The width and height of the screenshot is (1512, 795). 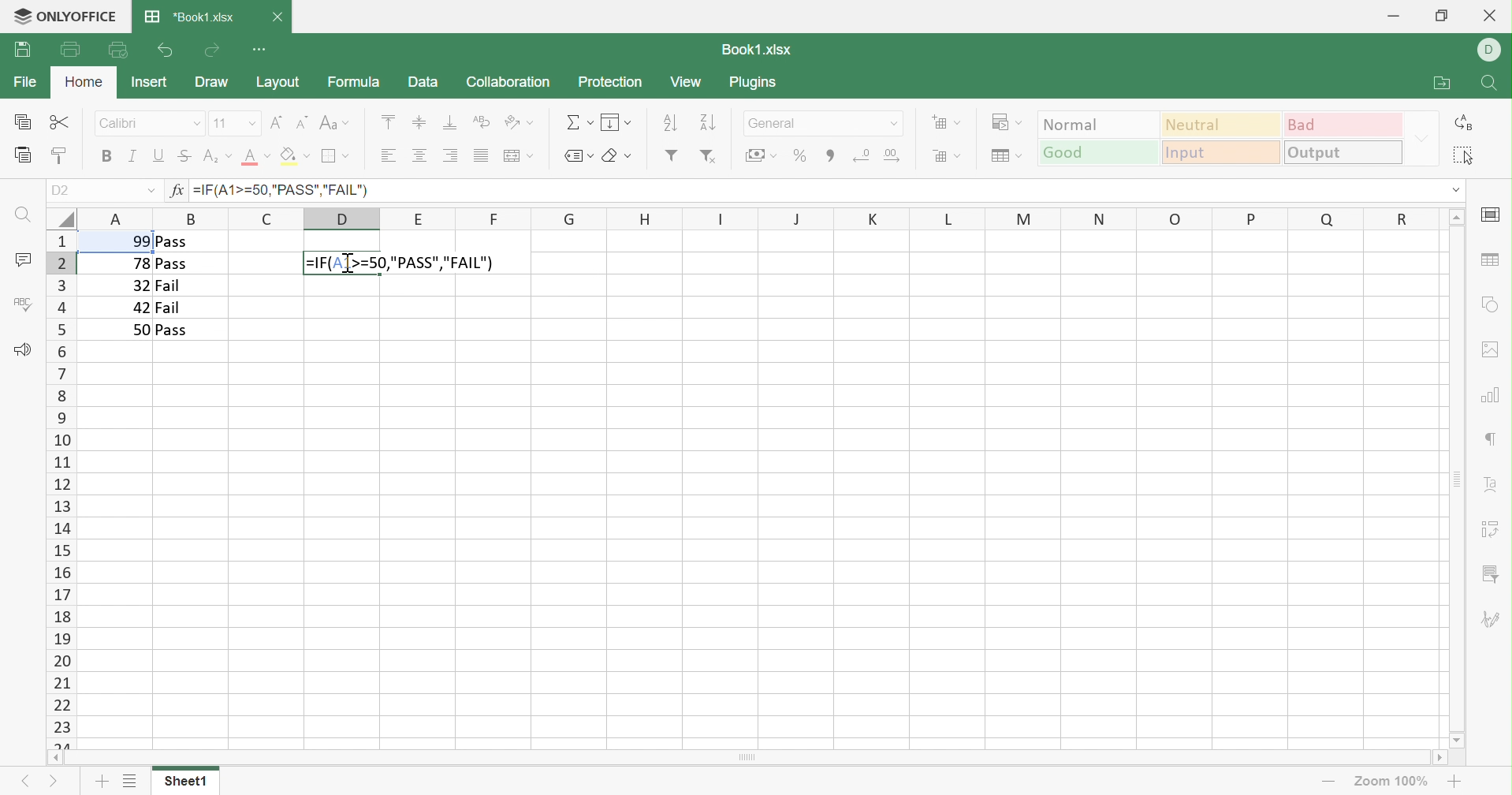 I want to click on Named ranges, so click(x=576, y=155).